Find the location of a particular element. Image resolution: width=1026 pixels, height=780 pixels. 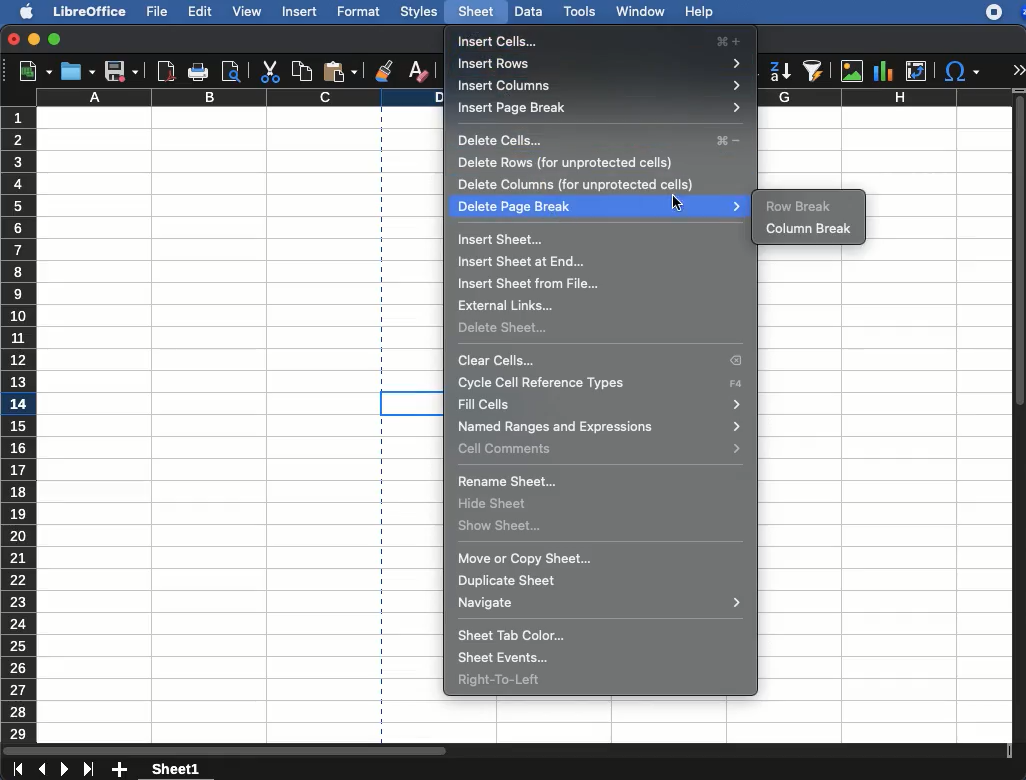

close is located at coordinates (13, 39).